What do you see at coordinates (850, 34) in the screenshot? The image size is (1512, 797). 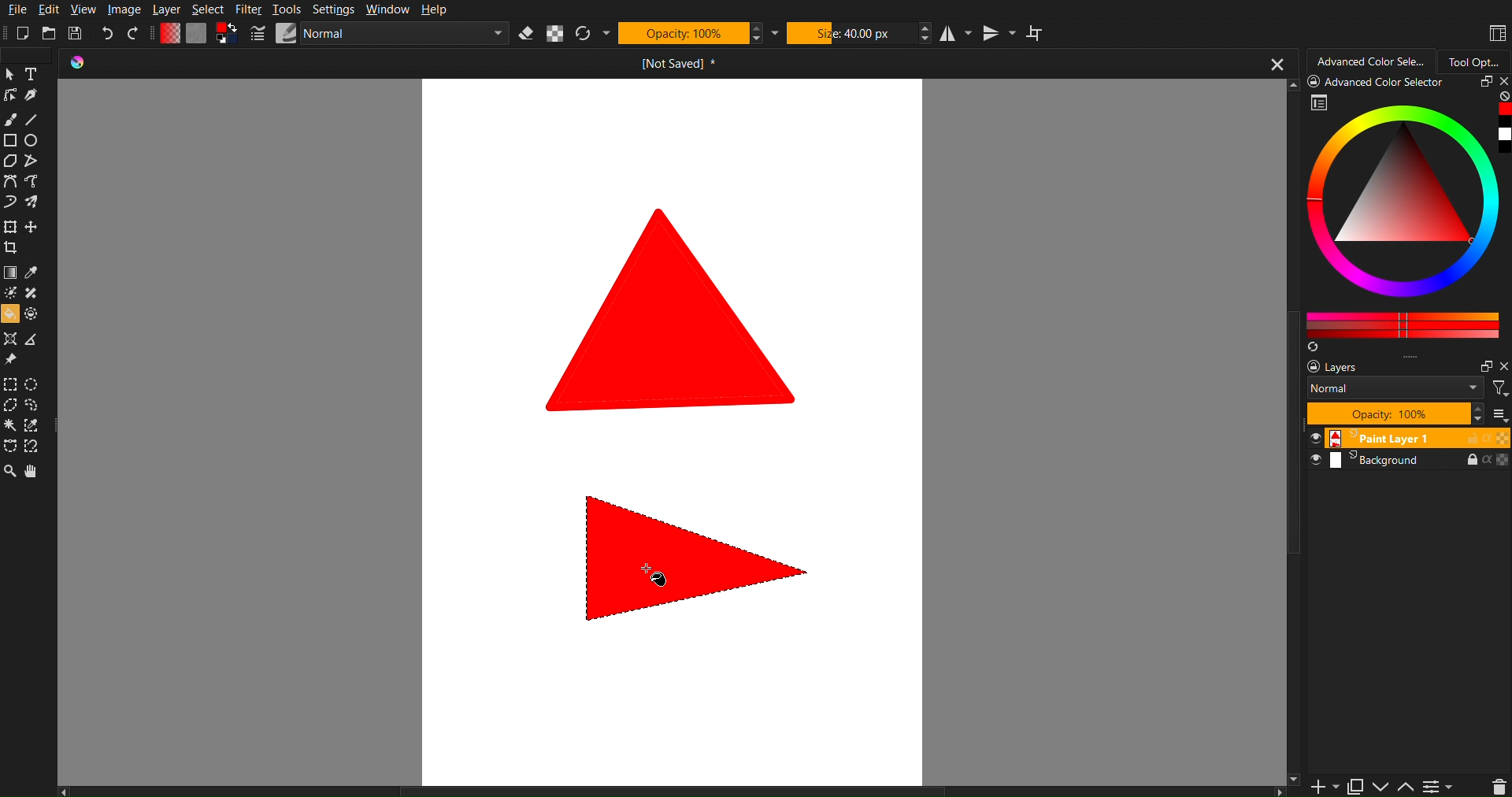 I see `Size` at bounding box center [850, 34].